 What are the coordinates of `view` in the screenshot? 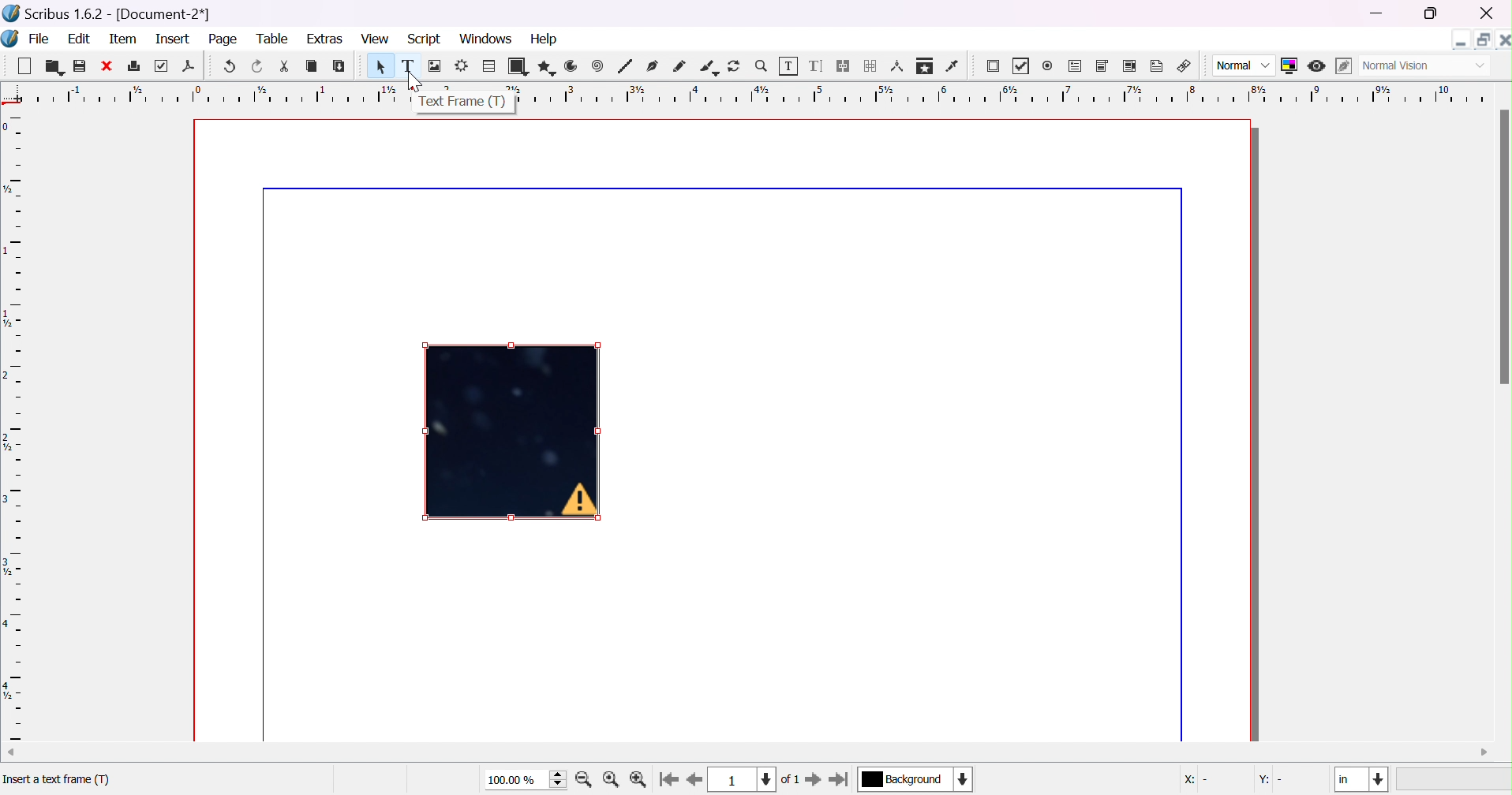 It's located at (372, 38).